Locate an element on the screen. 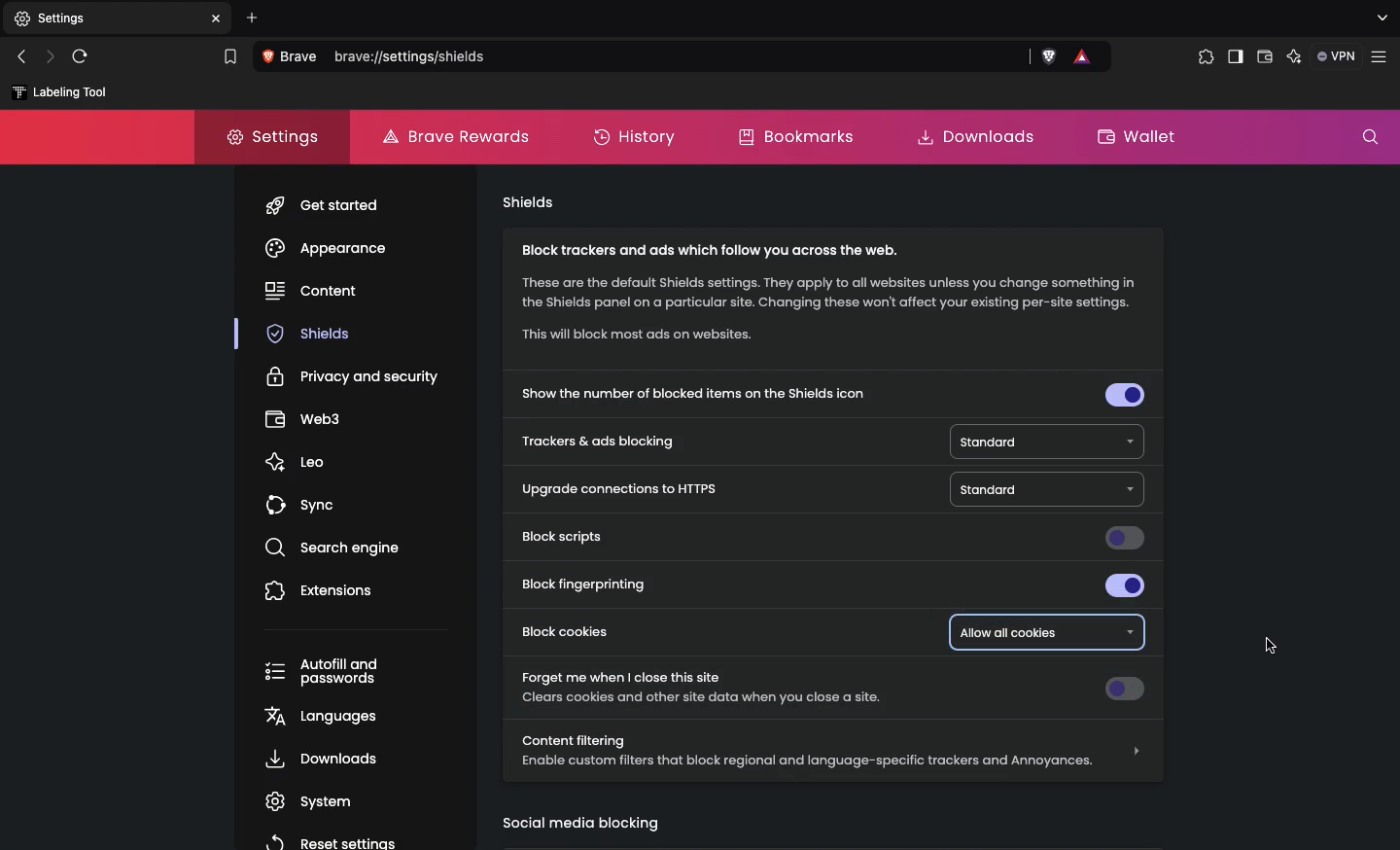 The height and width of the screenshot is (850, 1400). Previous page is located at coordinates (24, 58).